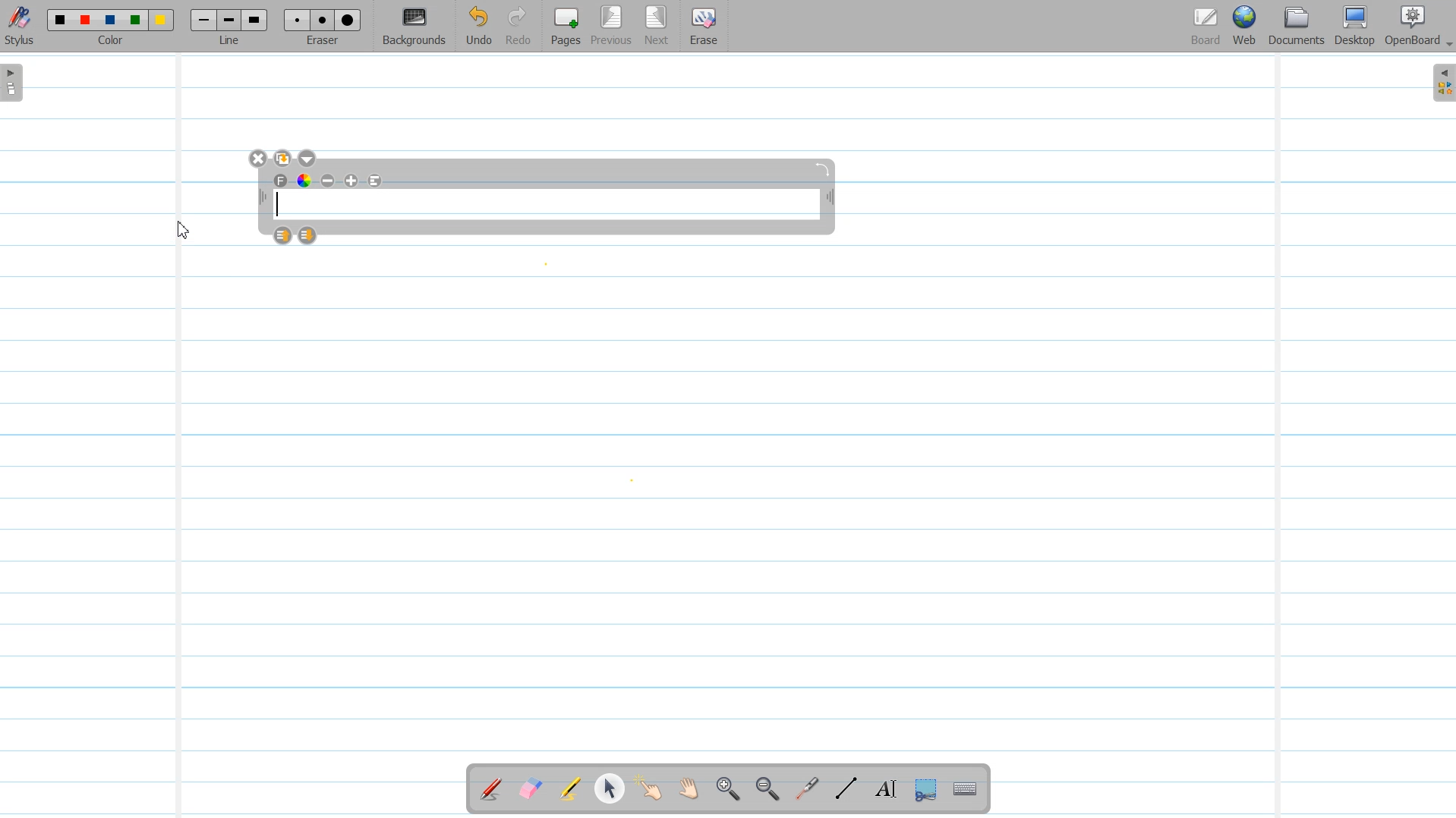  I want to click on Maximize Text, so click(352, 181).